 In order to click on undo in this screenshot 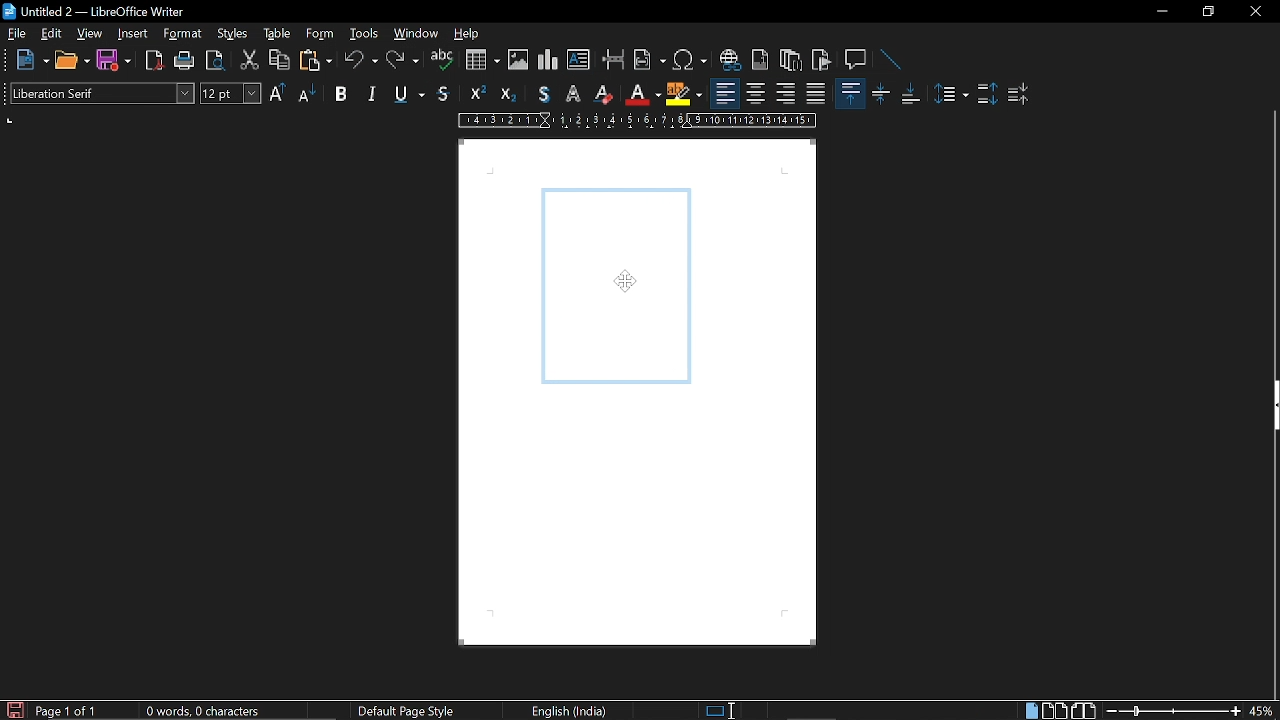, I will do `click(362, 61)`.